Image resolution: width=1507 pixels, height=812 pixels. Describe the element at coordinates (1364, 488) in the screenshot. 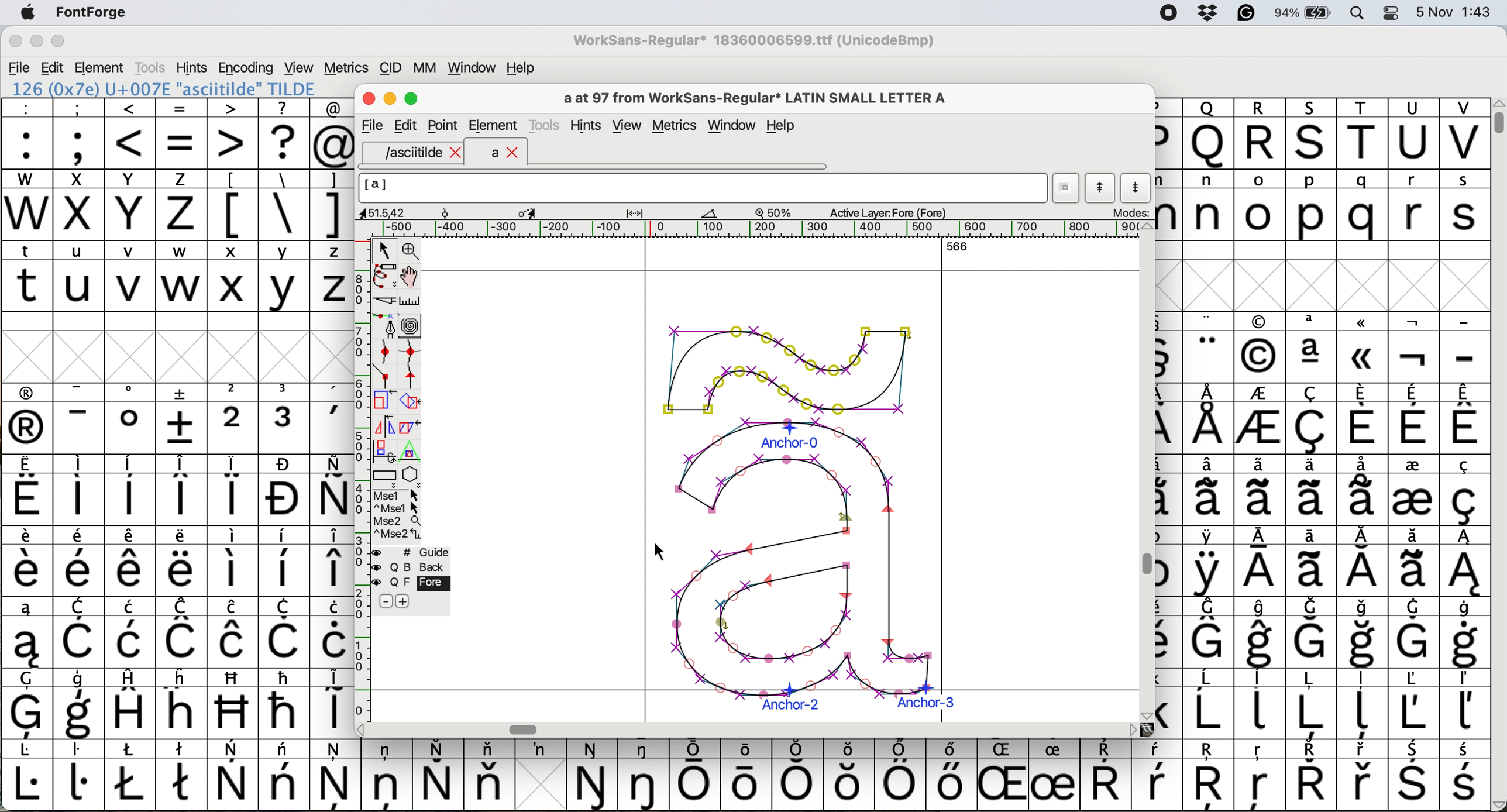

I see `symbol` at that location.